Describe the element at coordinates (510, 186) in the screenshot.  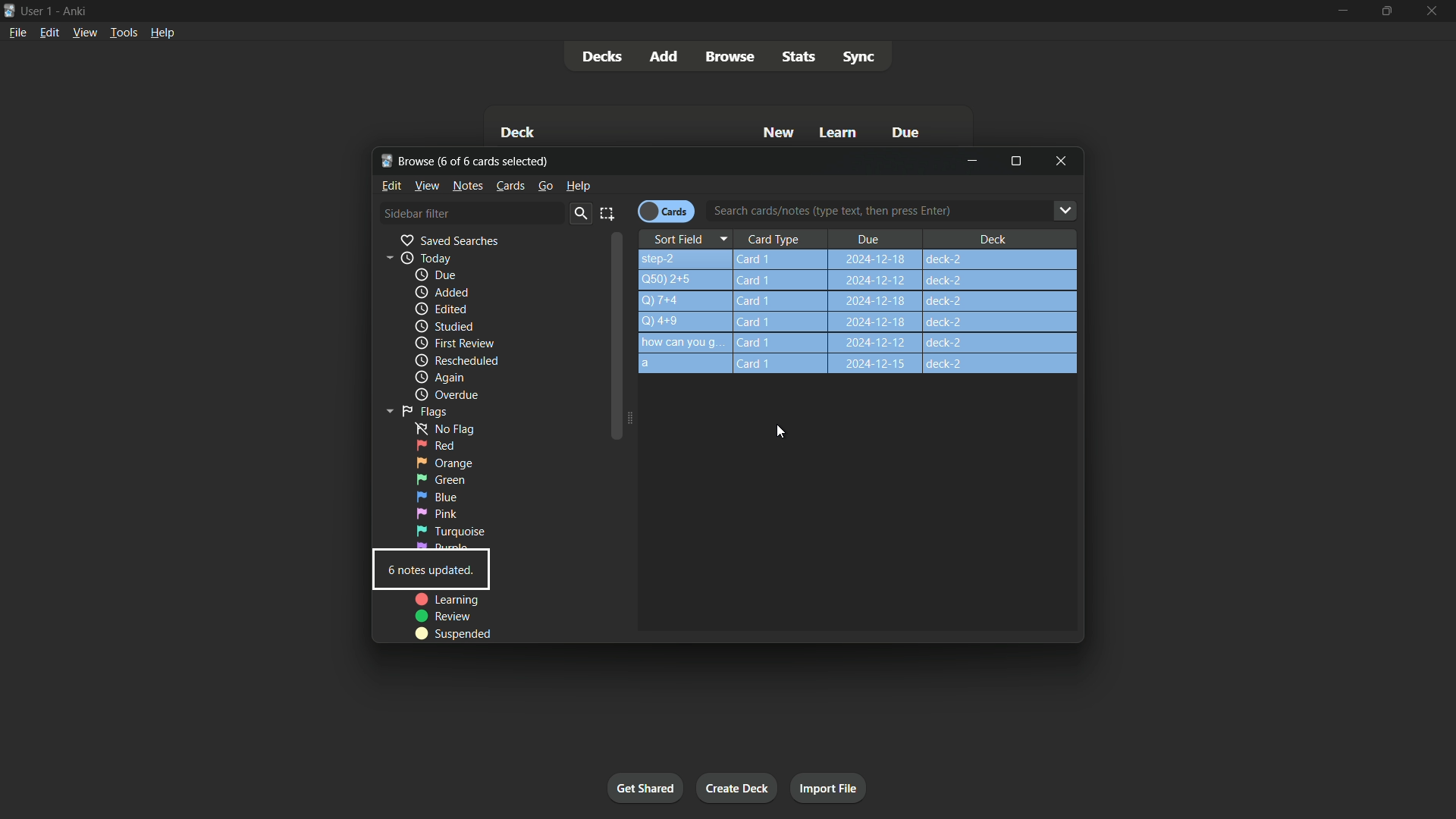
I see `Cards` at that location.